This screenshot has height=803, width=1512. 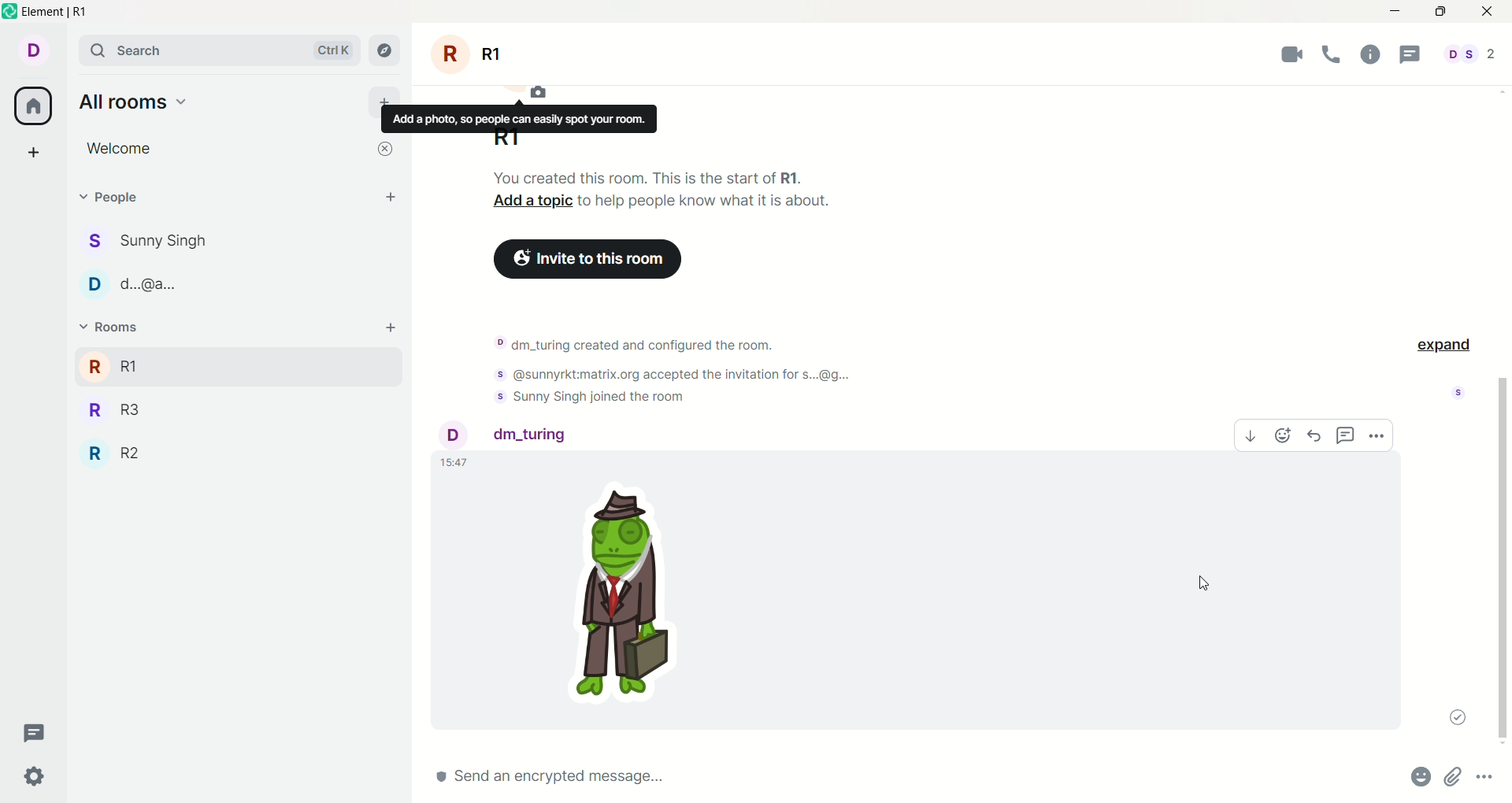 What do you see at coordinates (626, 599) in the screenshot?
I see `Selected sticker` at bounding box center [626, 599].